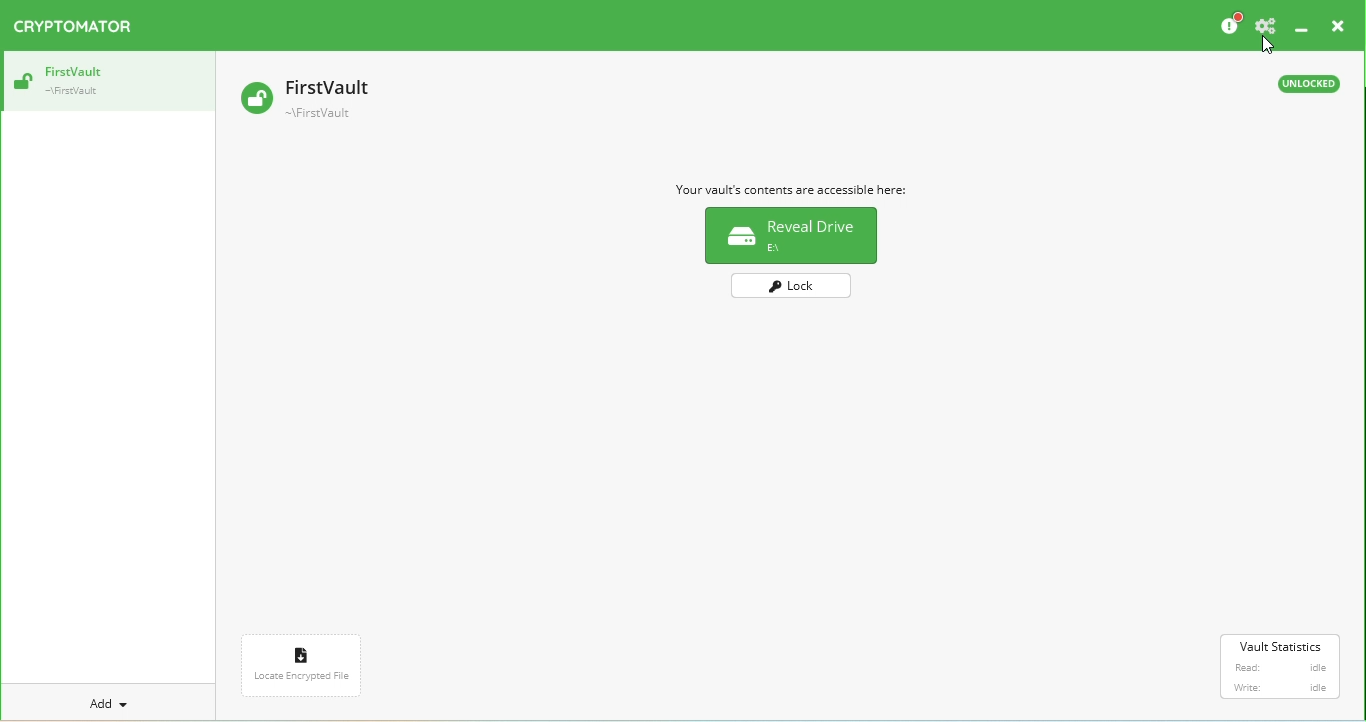  What do you see at coordinates (1228, 25) in the screenshot?
I see `Please considder donating` at bounding box center [1228, 25].